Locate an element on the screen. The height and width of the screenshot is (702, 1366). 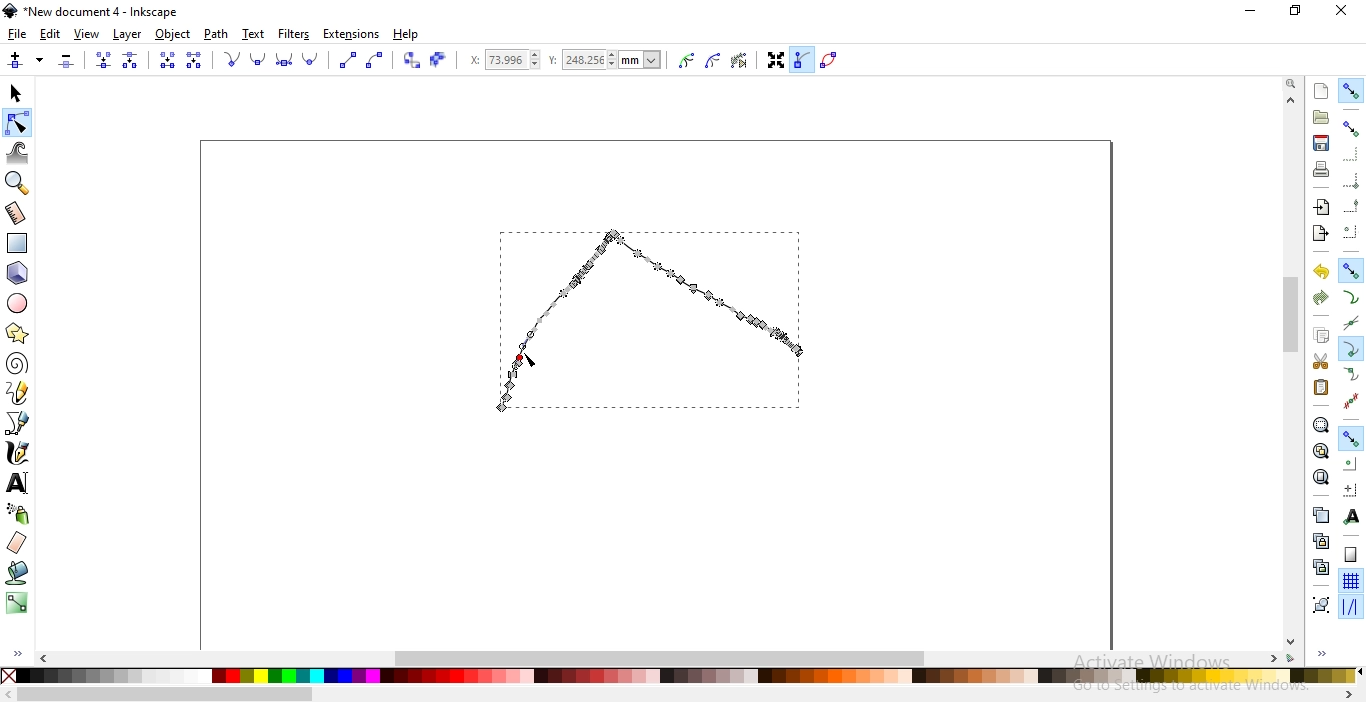
Y coordinate of selected node is located at coordinates (609, 62).